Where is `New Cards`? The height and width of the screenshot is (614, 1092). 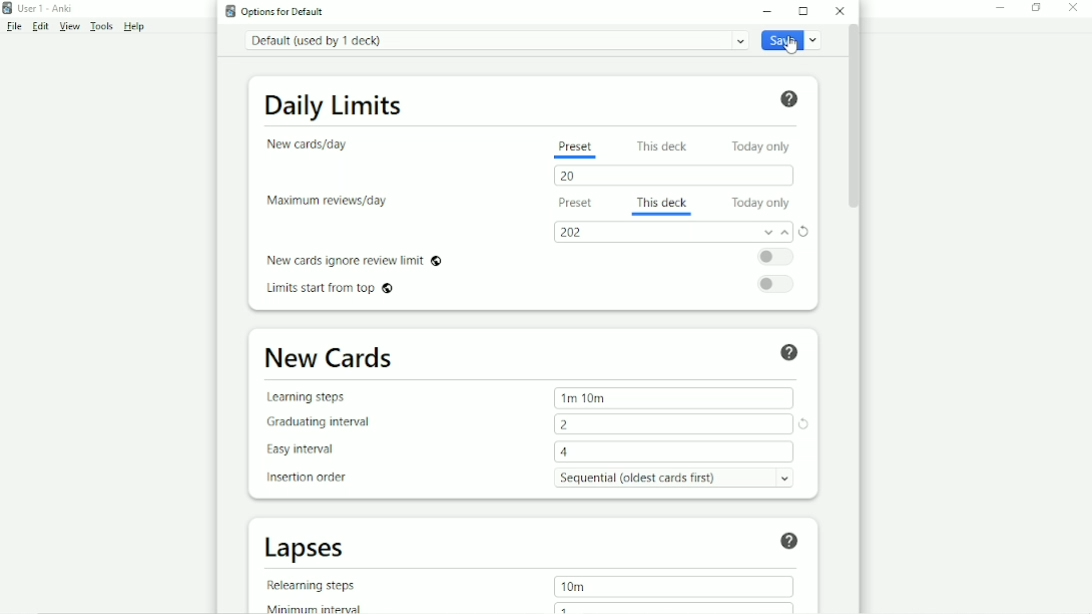
New Cards is located at coordinates (330, 358).